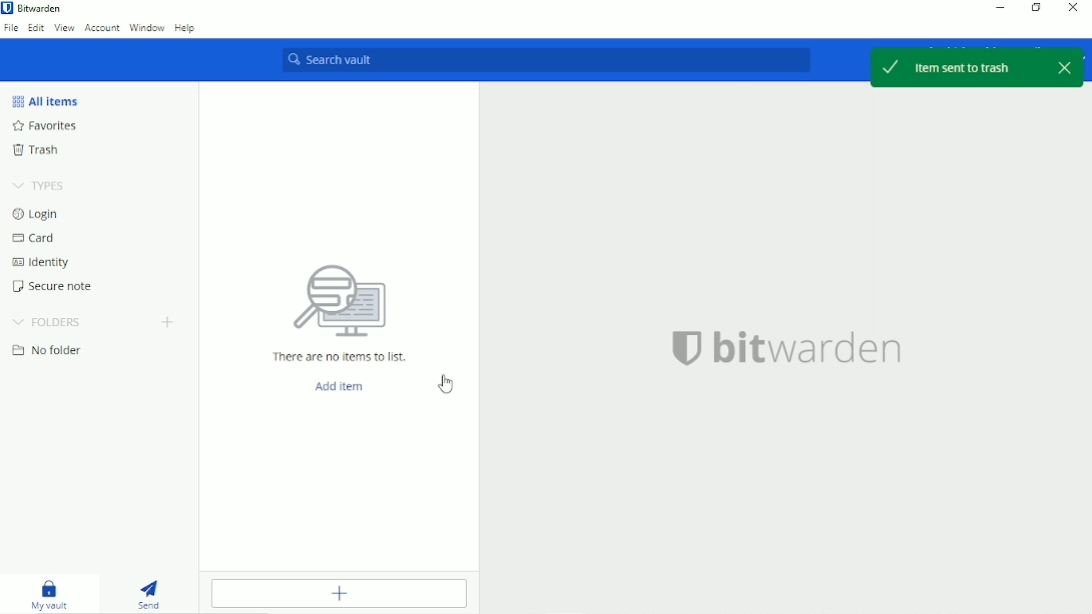  I want to click on close, so click(1064, 67).